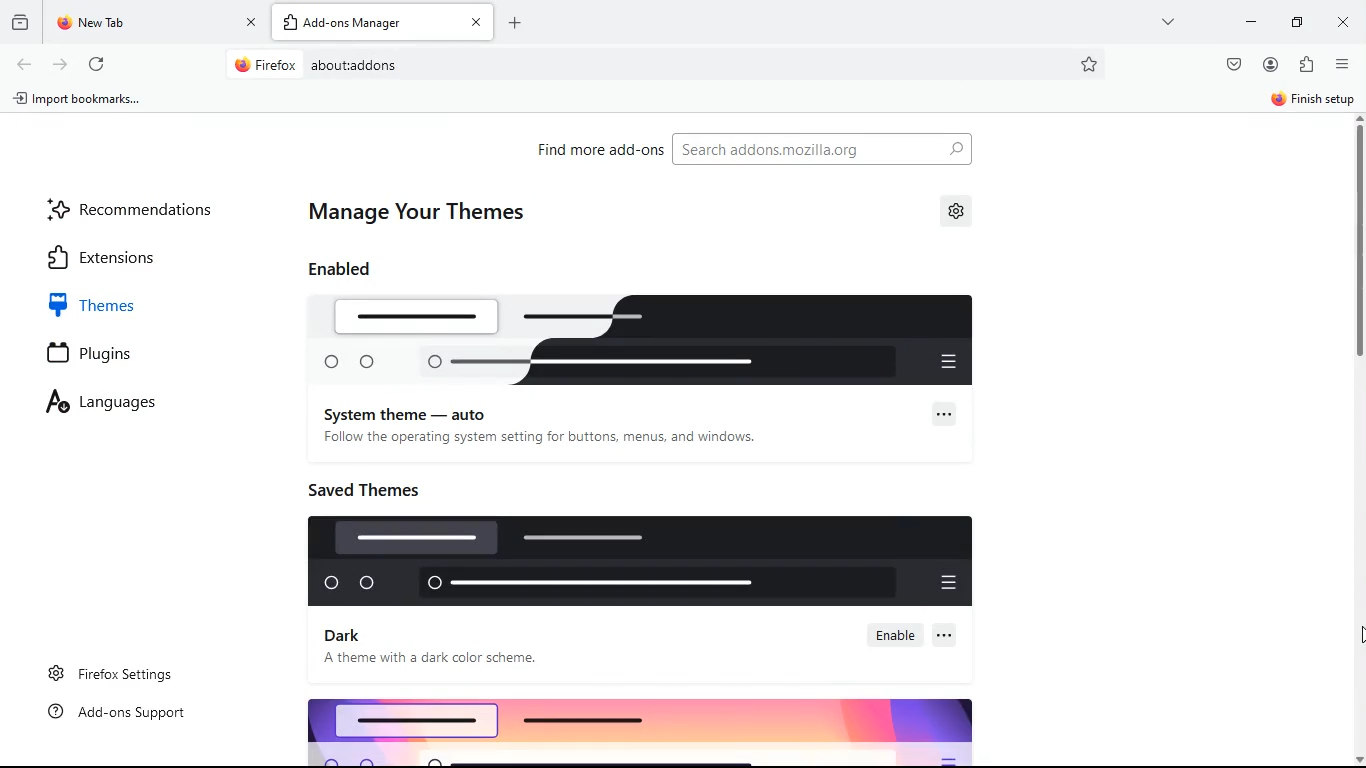  Describe the element at coordinates (26, 64) in the screenshot. I see `back` at that location.